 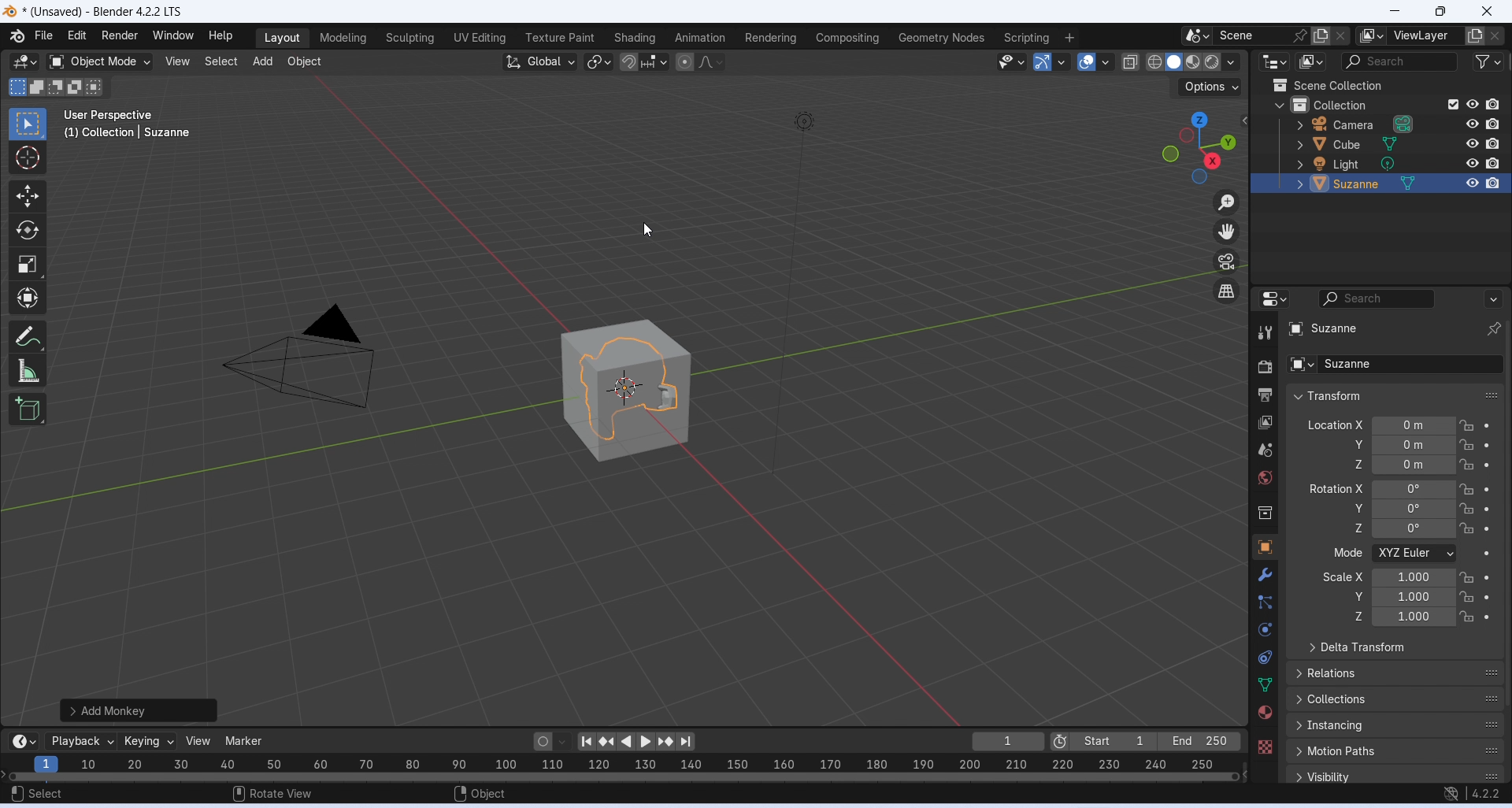 What do you see at coordinates (43, 35) in the screenshot?
I see `File` at bounding box center [43, 35].